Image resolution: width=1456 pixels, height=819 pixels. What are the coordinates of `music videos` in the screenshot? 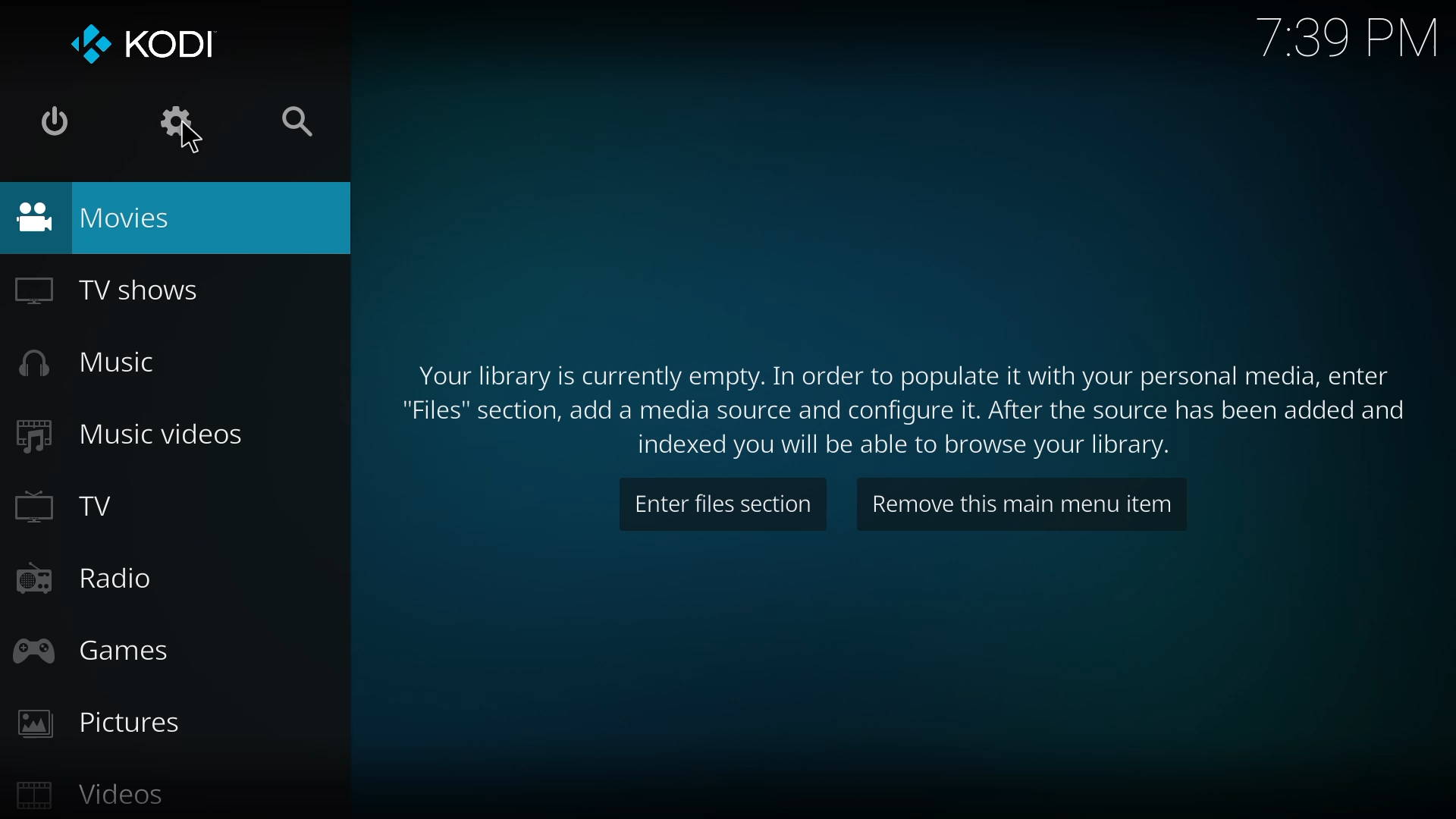 It's located at (126, 436).